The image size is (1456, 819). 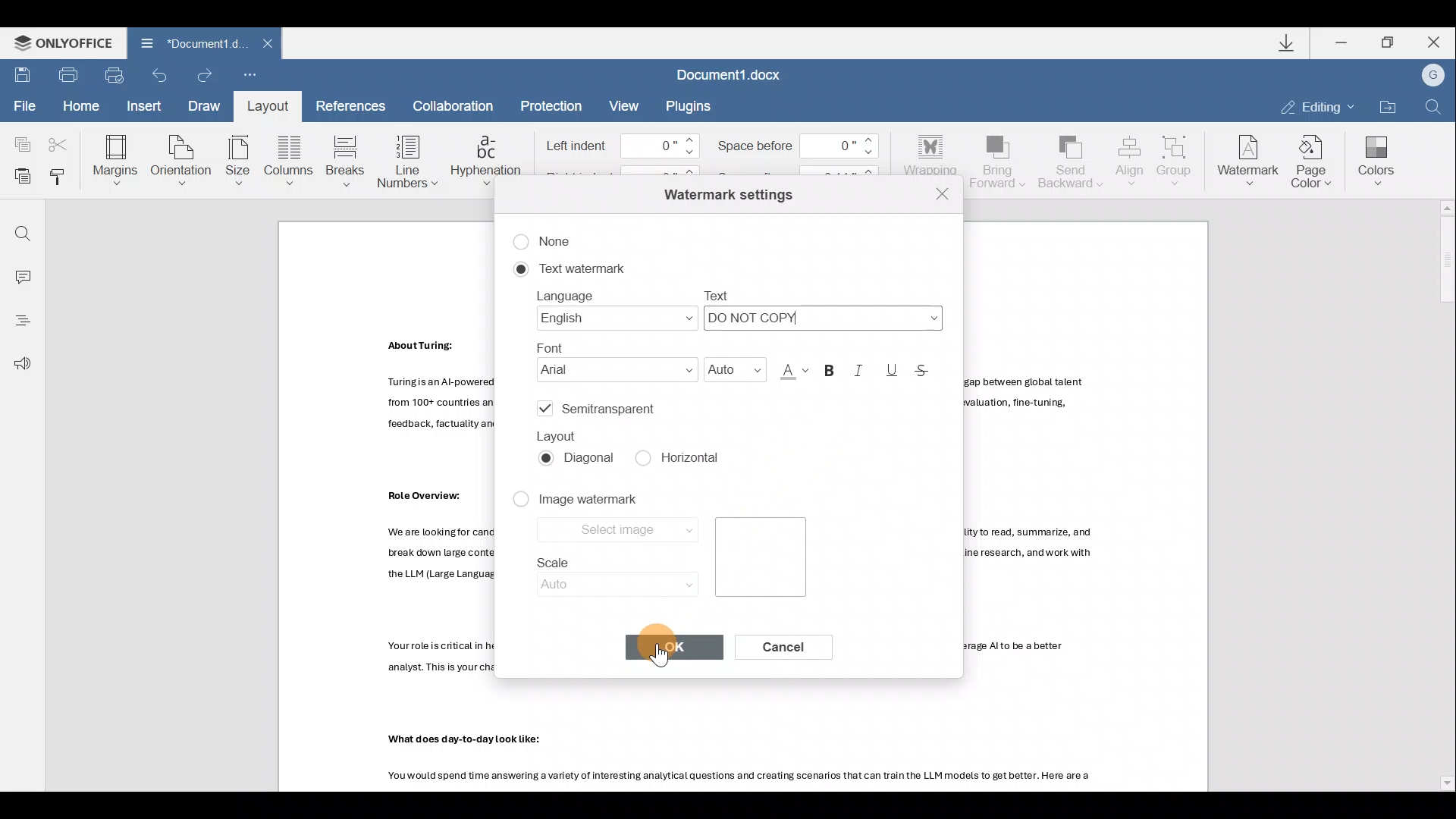 I want to click on Semitransparent, so click(x=602, y=411).